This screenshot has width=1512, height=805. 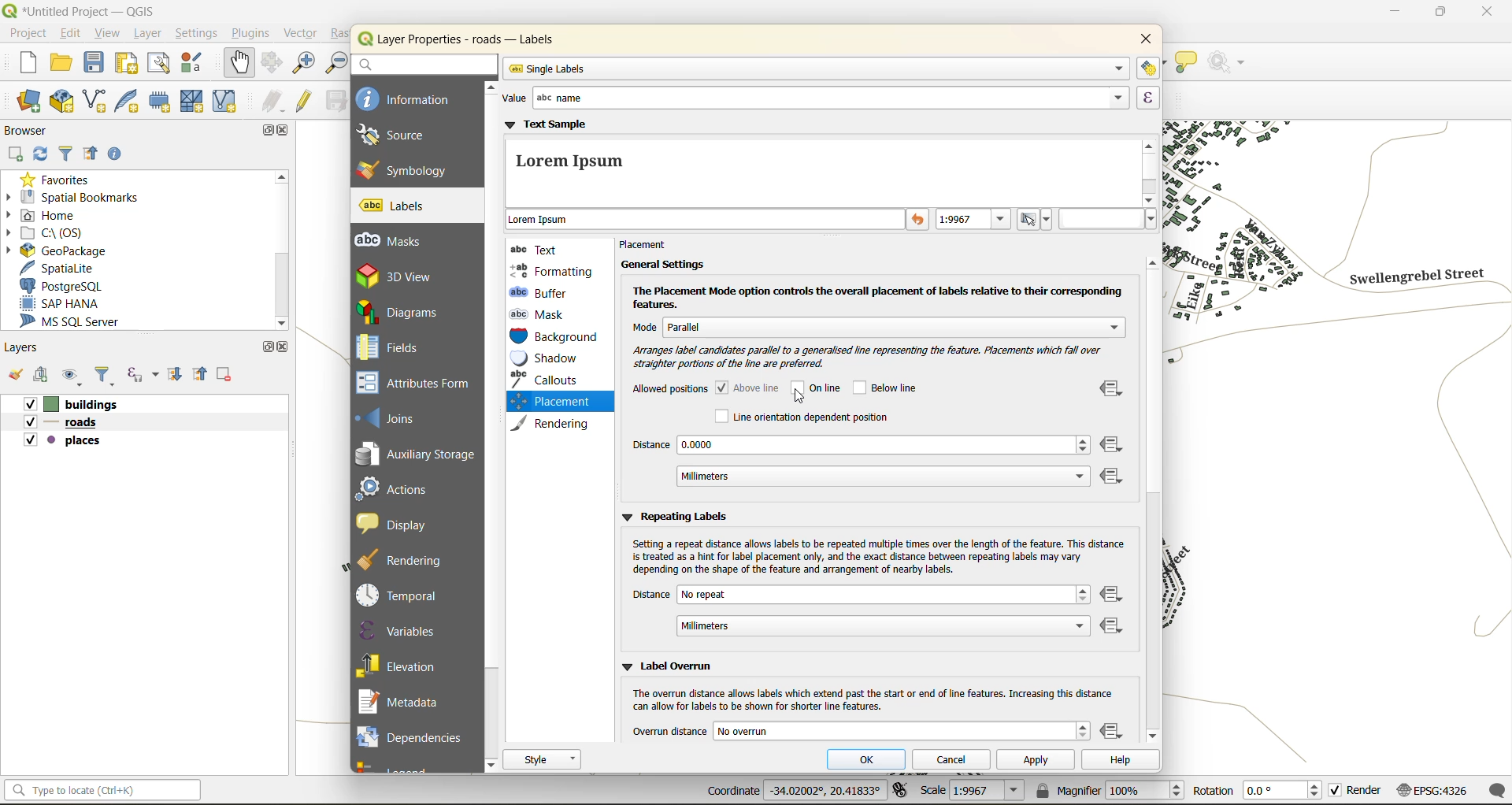 I want to click on browser, so click(x=28, y=133).